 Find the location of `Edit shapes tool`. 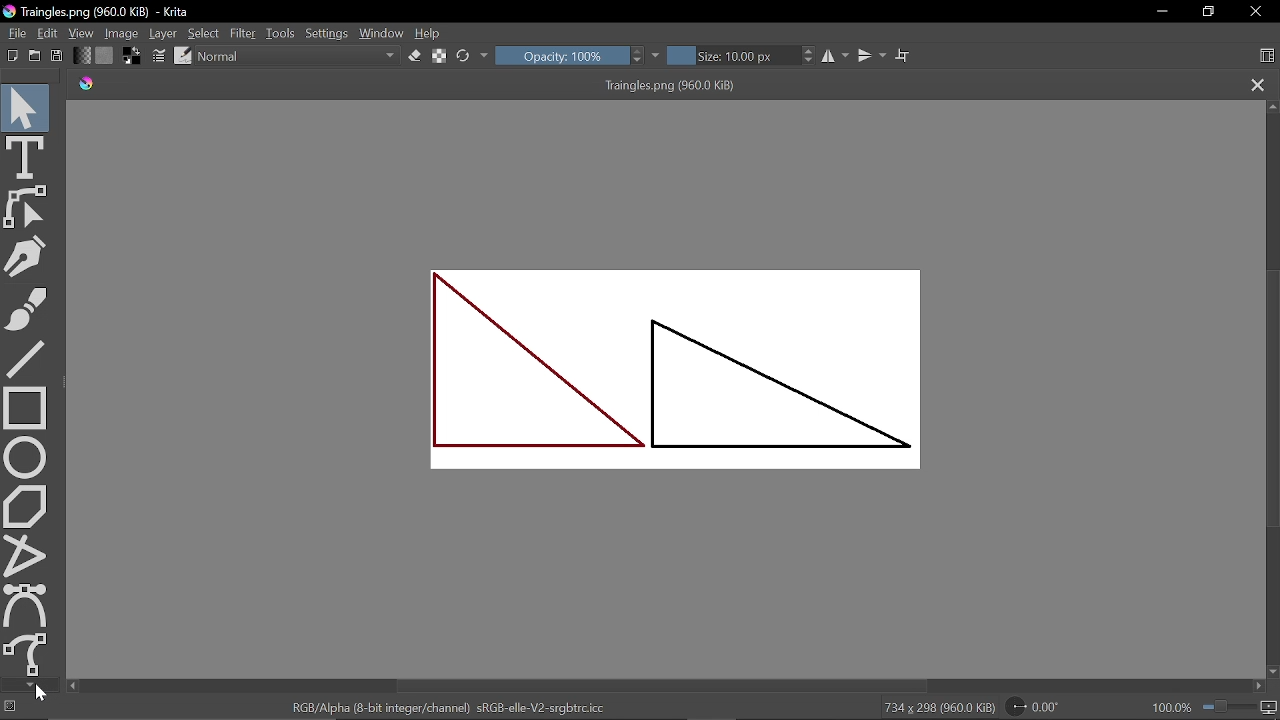

Edit shapes tool is located at coordinates (28, 207).